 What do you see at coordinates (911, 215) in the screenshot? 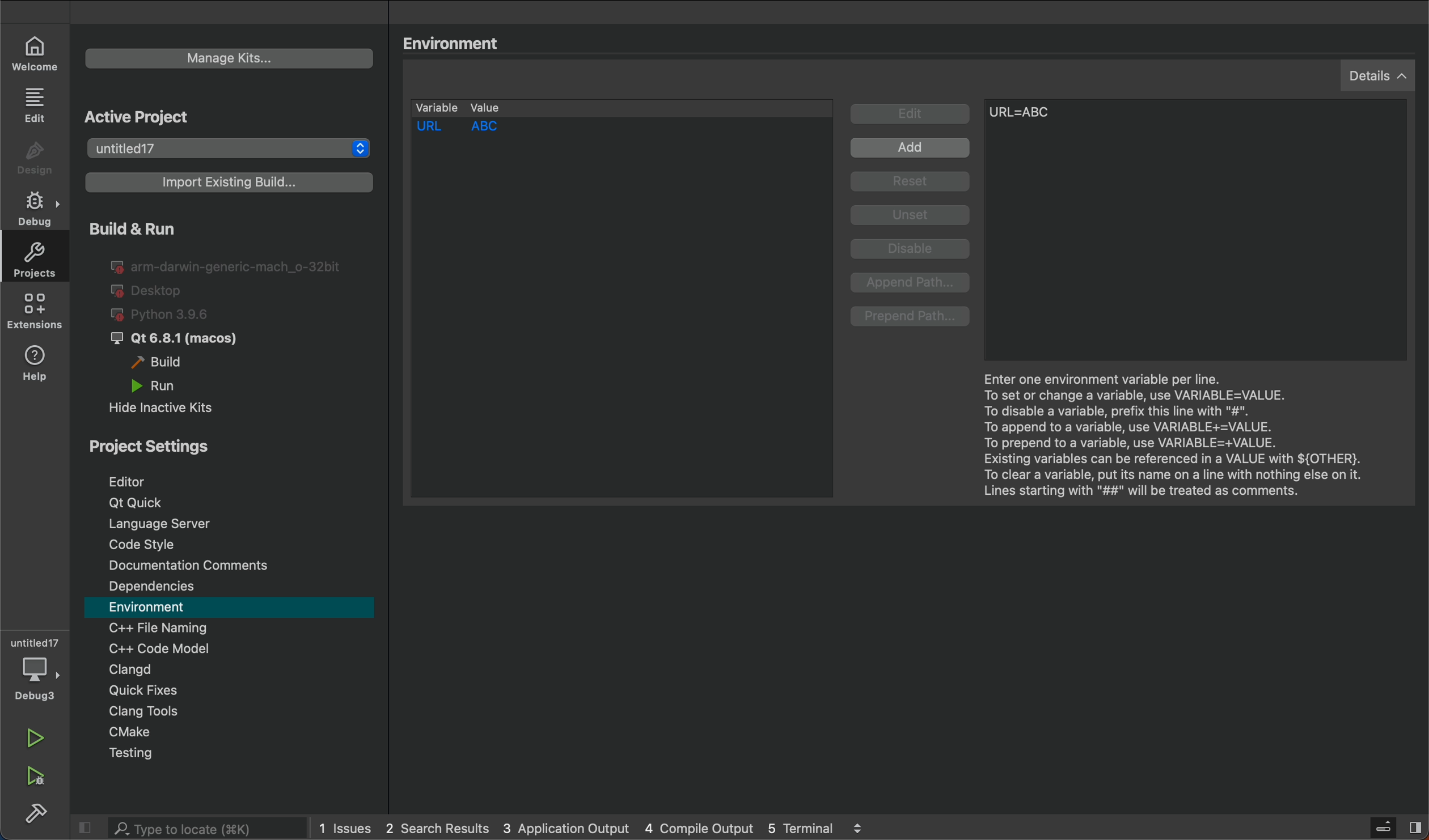
I see `Unset` at bounding box center [911, 215].